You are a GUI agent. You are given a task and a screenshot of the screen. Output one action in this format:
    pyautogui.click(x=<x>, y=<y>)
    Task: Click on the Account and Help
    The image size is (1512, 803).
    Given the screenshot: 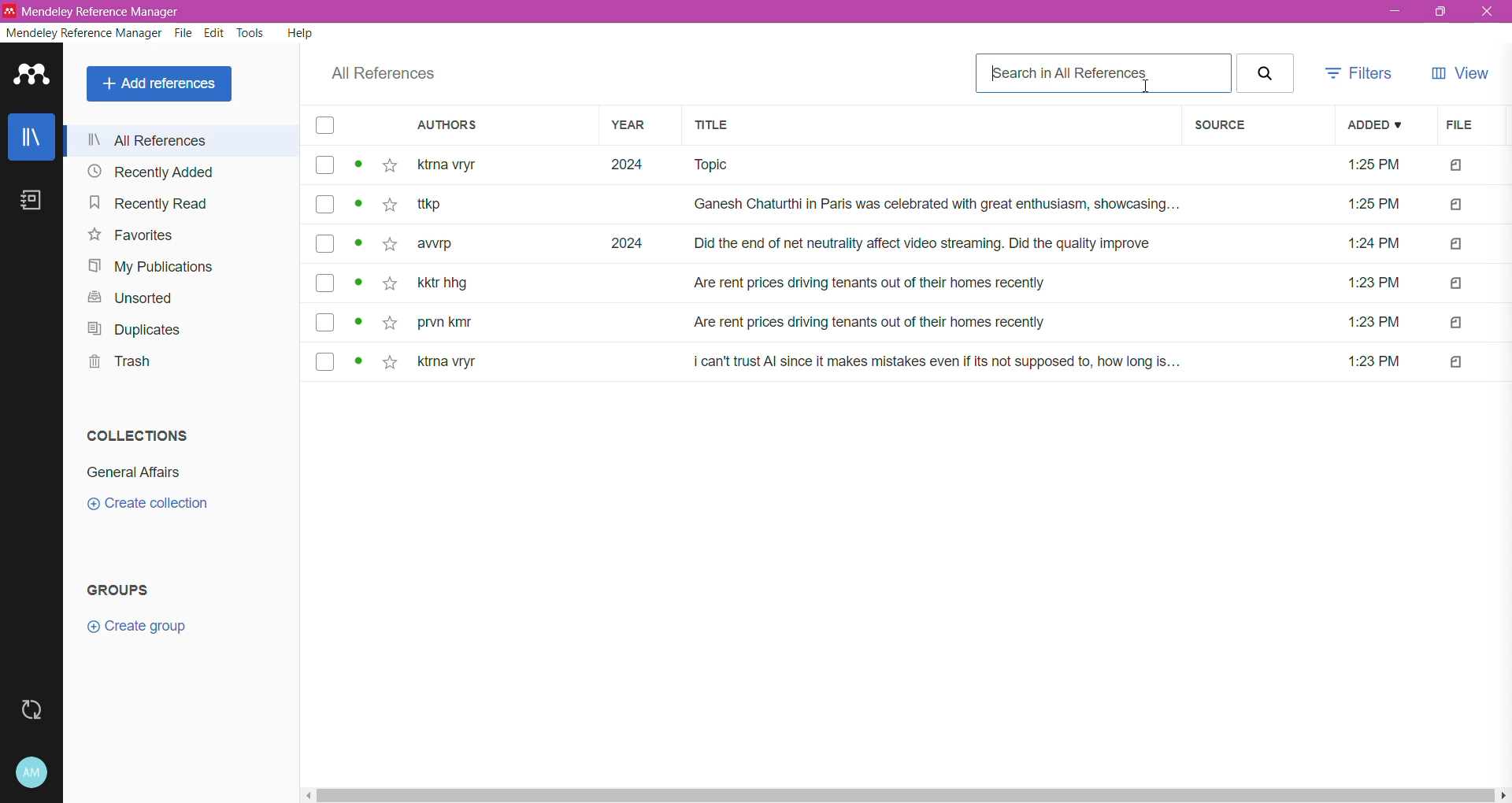 What is the action you would take?
    pyautogui.click(x=32, y=773)
    